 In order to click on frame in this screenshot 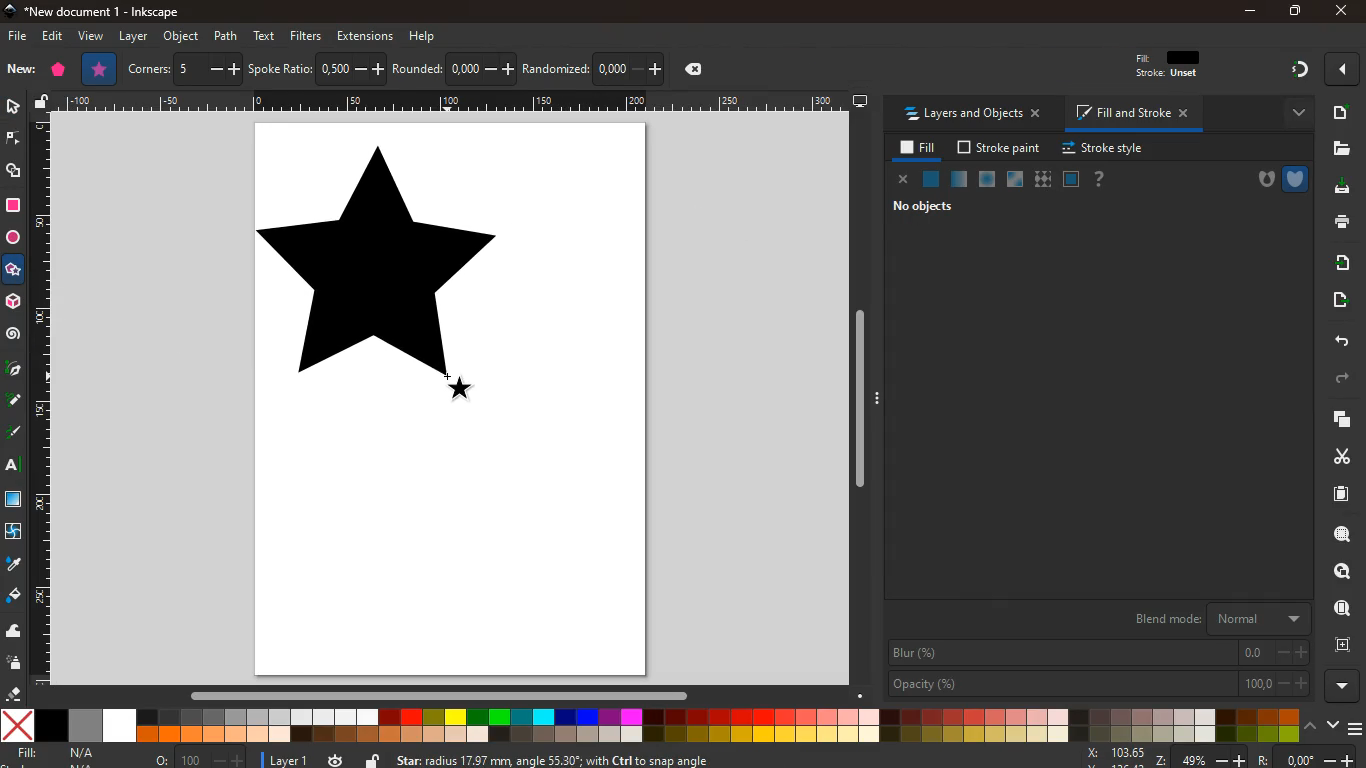, I will do `click(1070, 178)`.